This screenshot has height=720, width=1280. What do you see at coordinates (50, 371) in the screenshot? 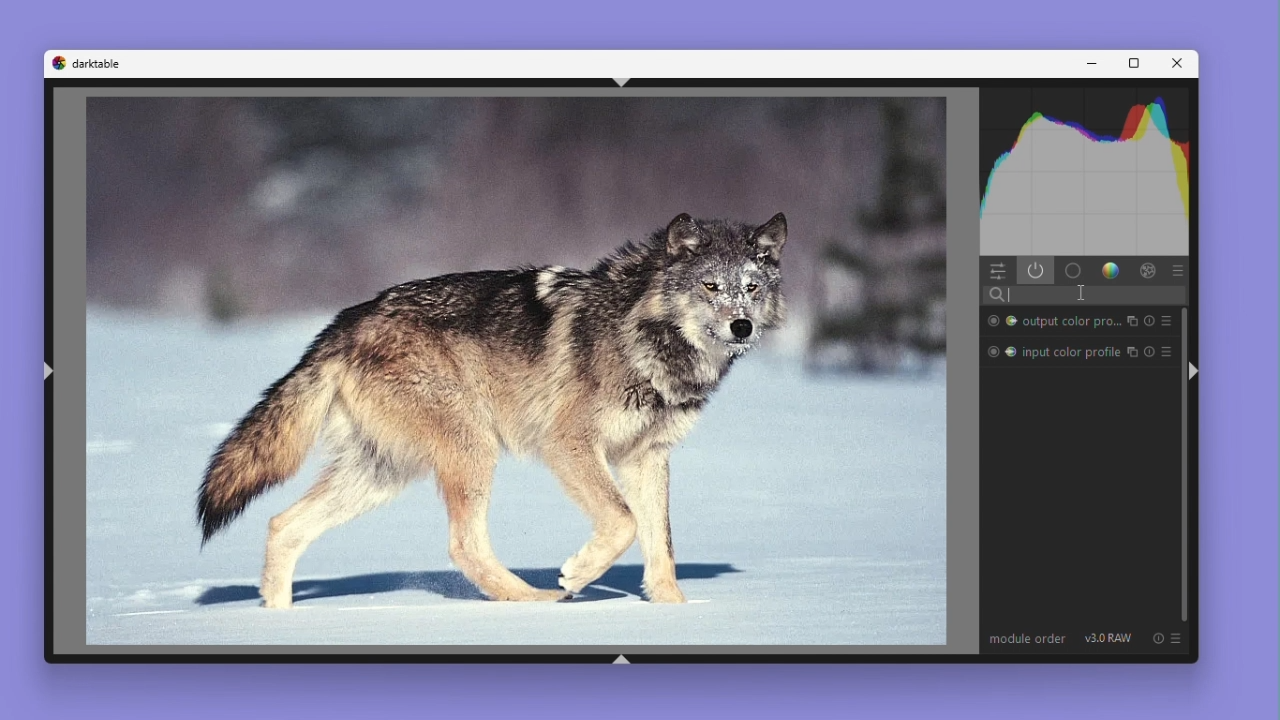
I see `shift+ctrl+l` at bounding box center [50, 371].